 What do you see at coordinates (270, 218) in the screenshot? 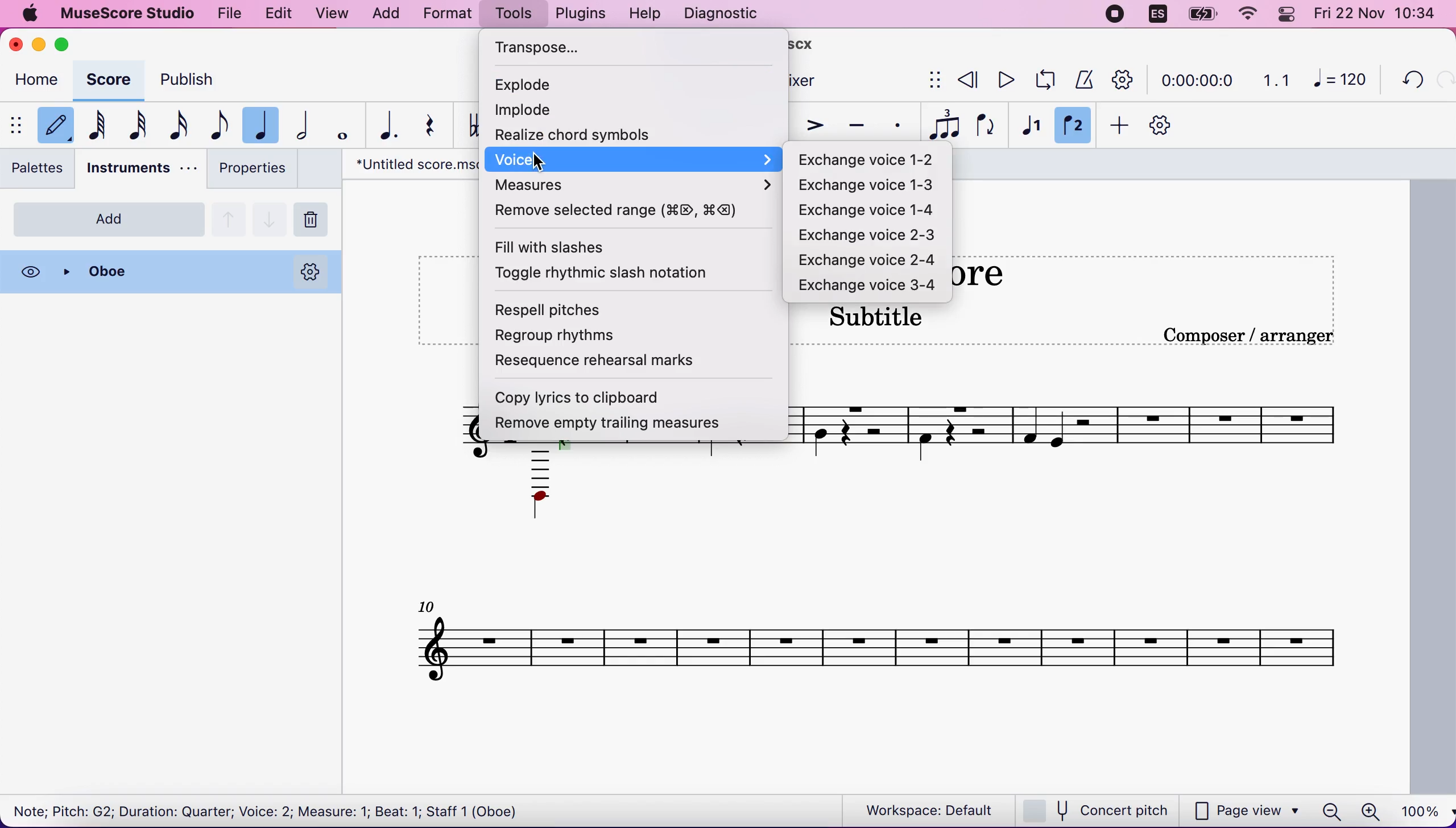
I see `go down` at bounding box center [270, 218].